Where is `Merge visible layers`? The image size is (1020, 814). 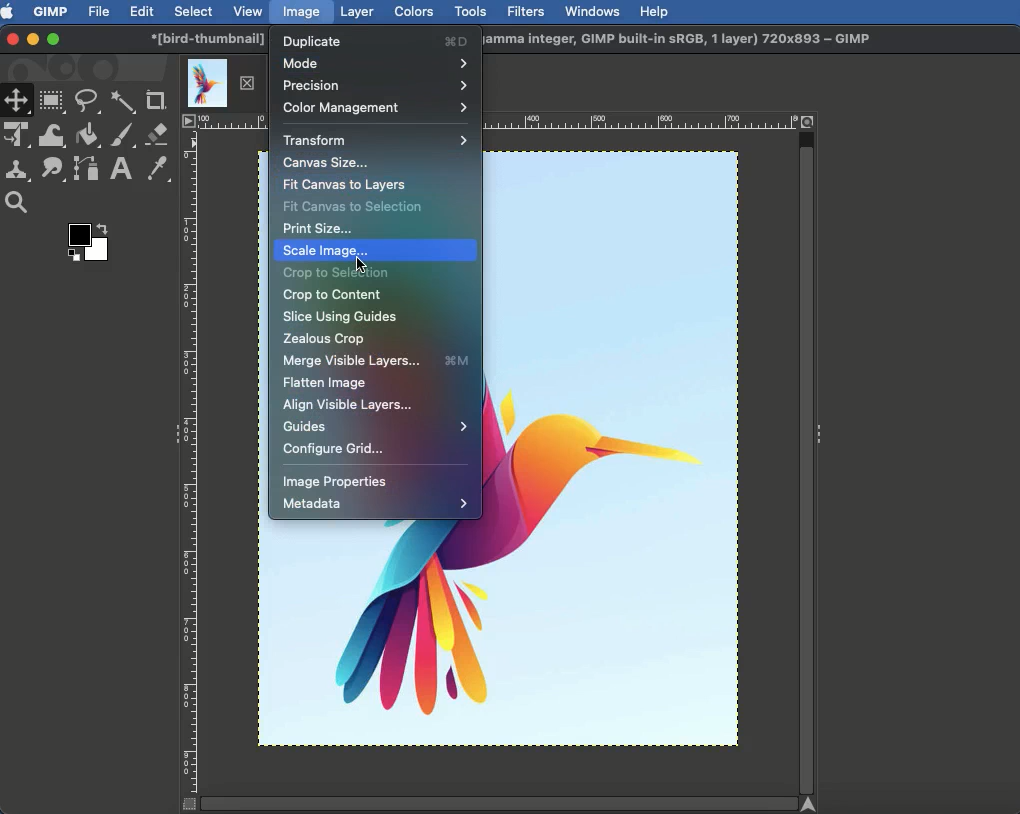
Merge visible layers is located at coordinates (380, 362).